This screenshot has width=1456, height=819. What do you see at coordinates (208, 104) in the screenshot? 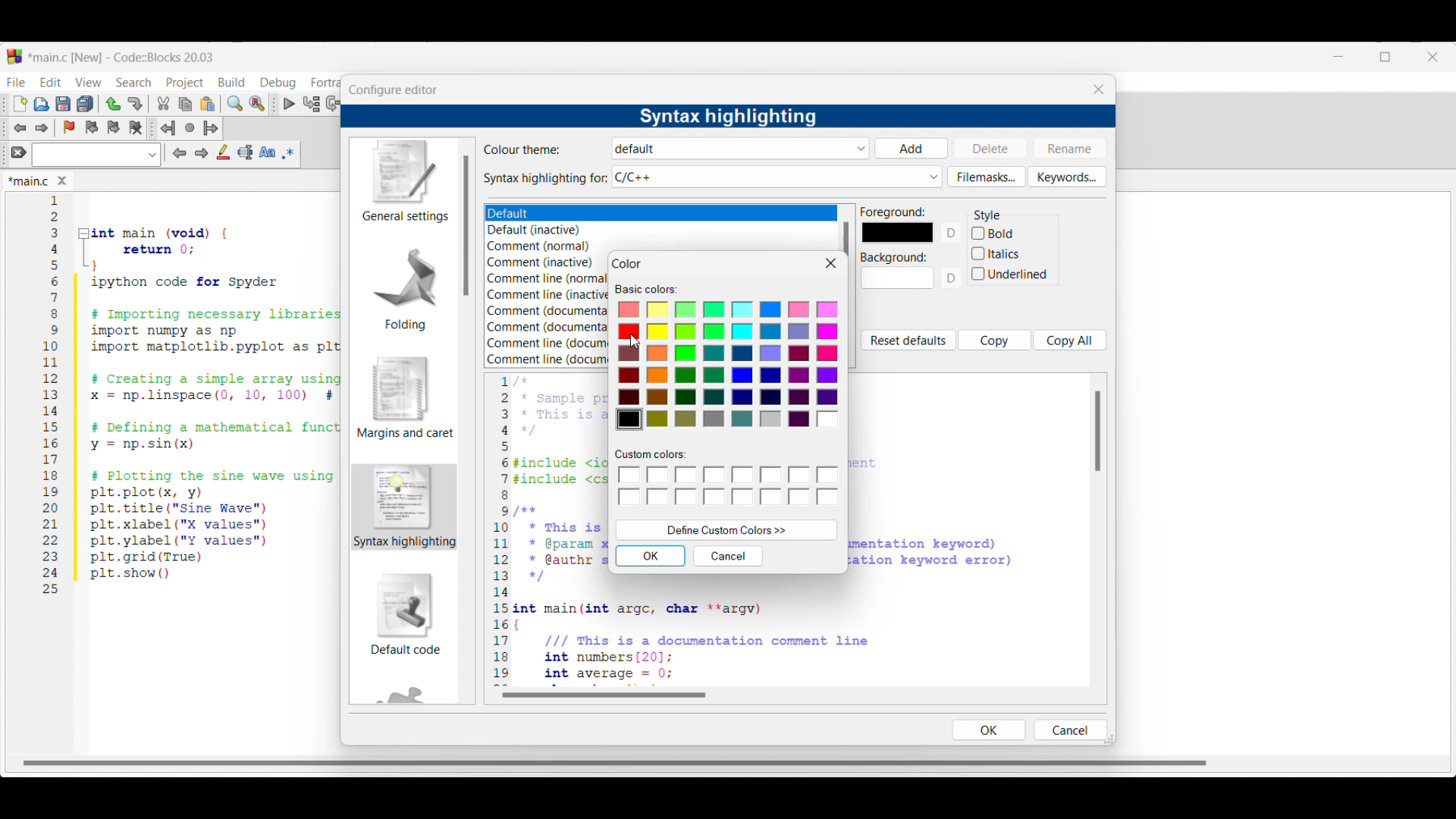
I see `Paste` at bounding box center [208, 104].